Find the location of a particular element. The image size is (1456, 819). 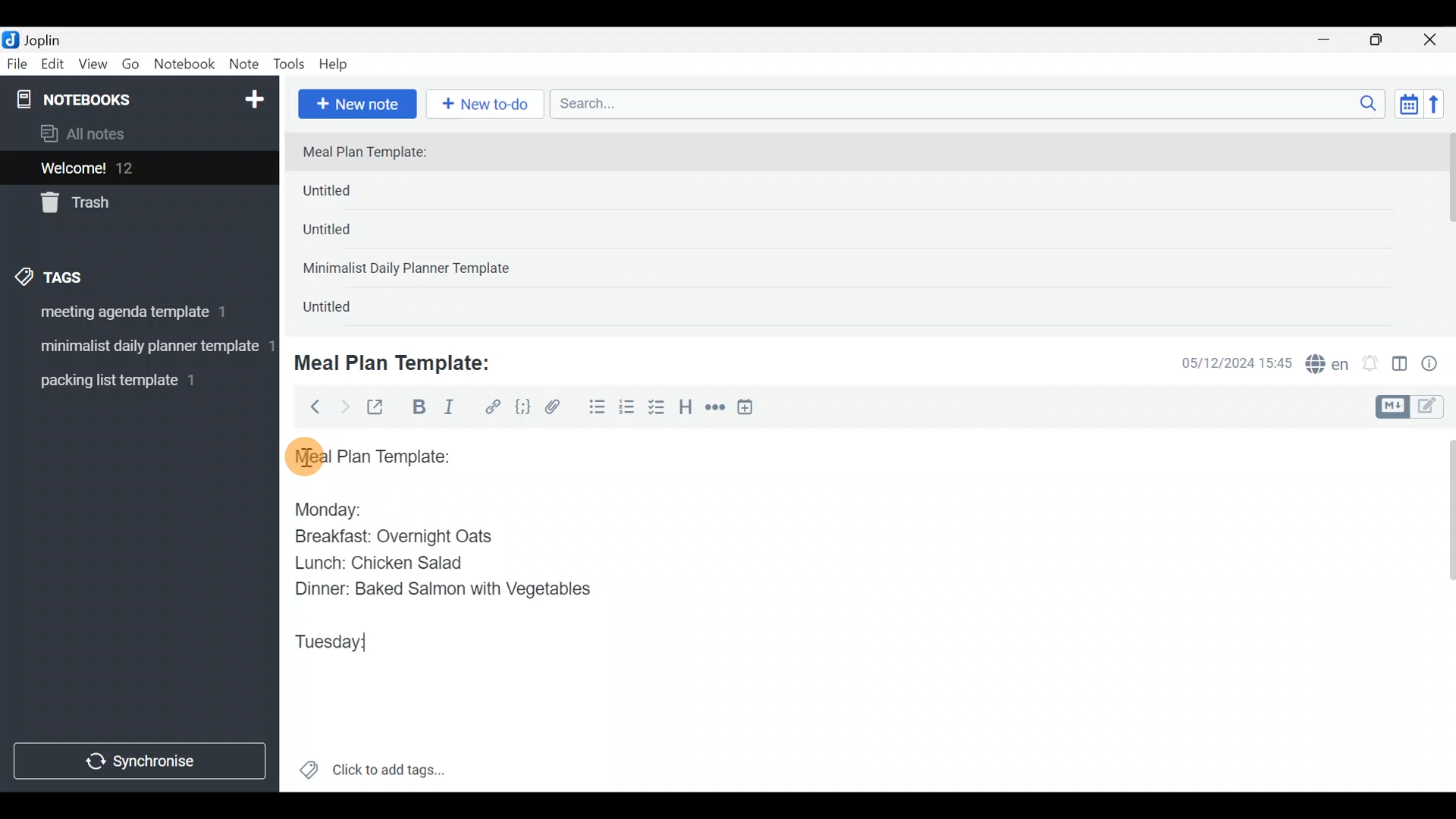

Back is located at coordinates (309, 406).